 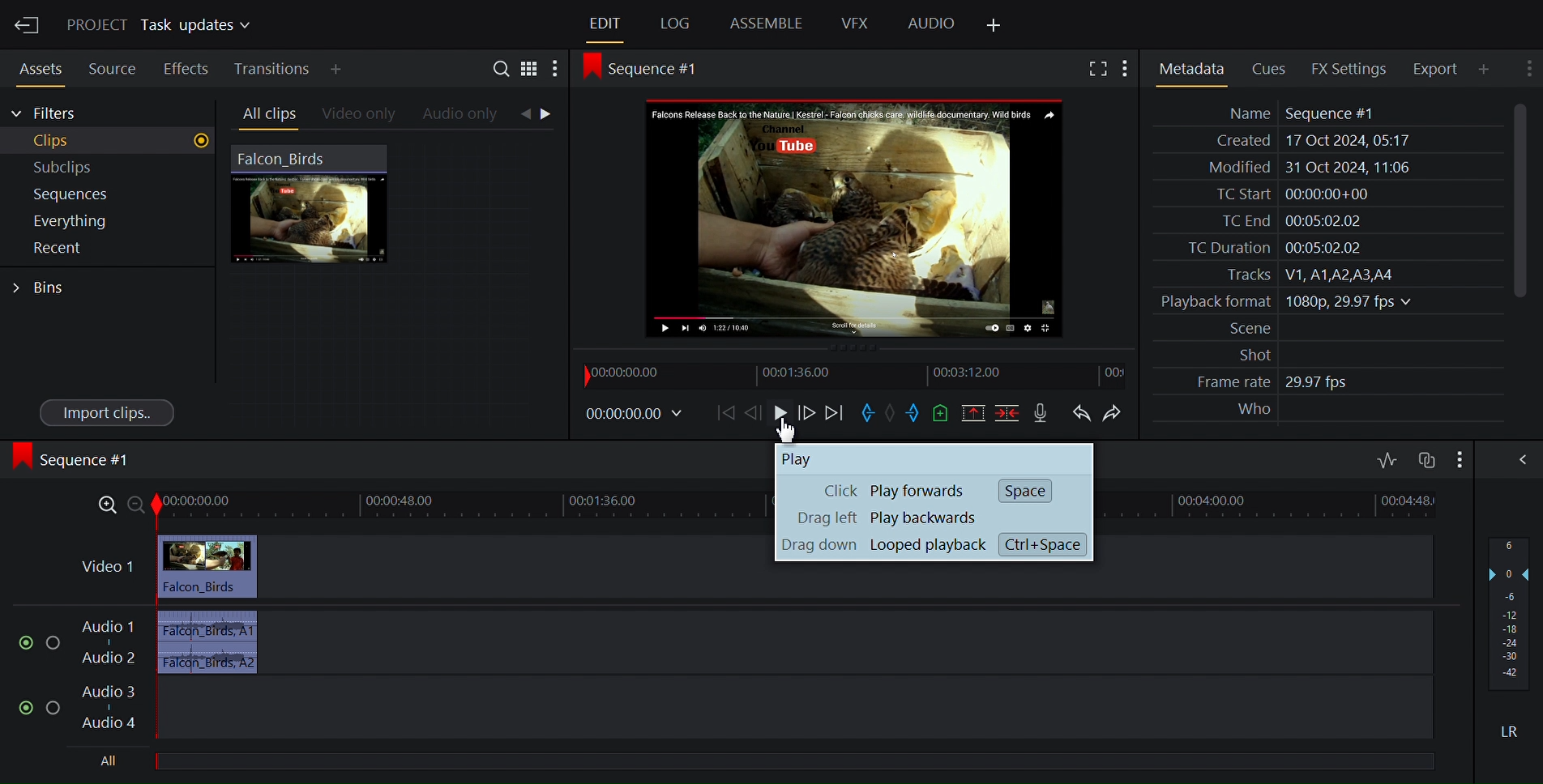 What do you see at coordinates (265, 114) in the screenshot?
I see `All clips` at bounding box center [265, 114].